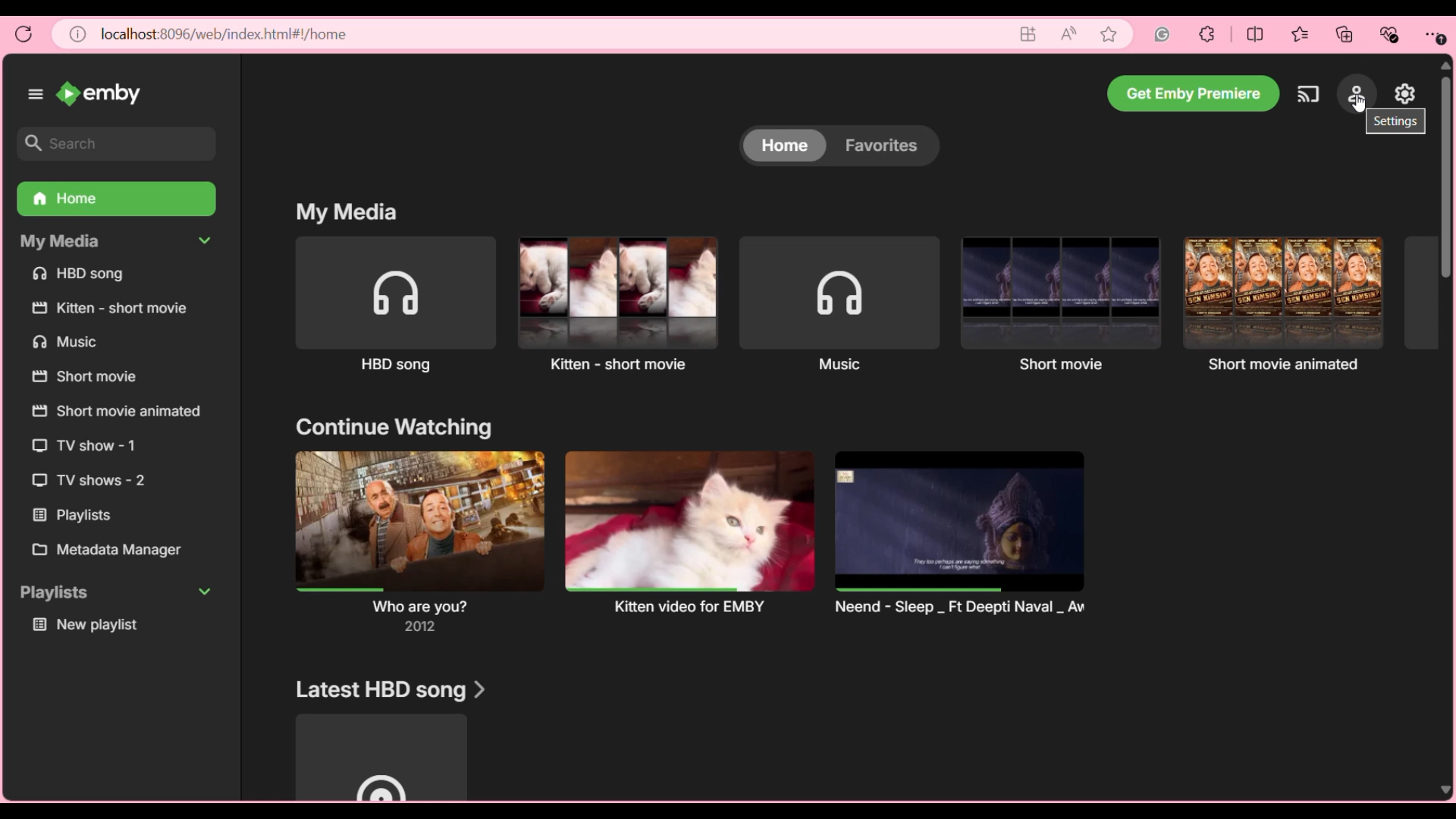  Describe the element at coordinates (1445, 428) in the screenshot. I see `Vertical slide bar` at that location.